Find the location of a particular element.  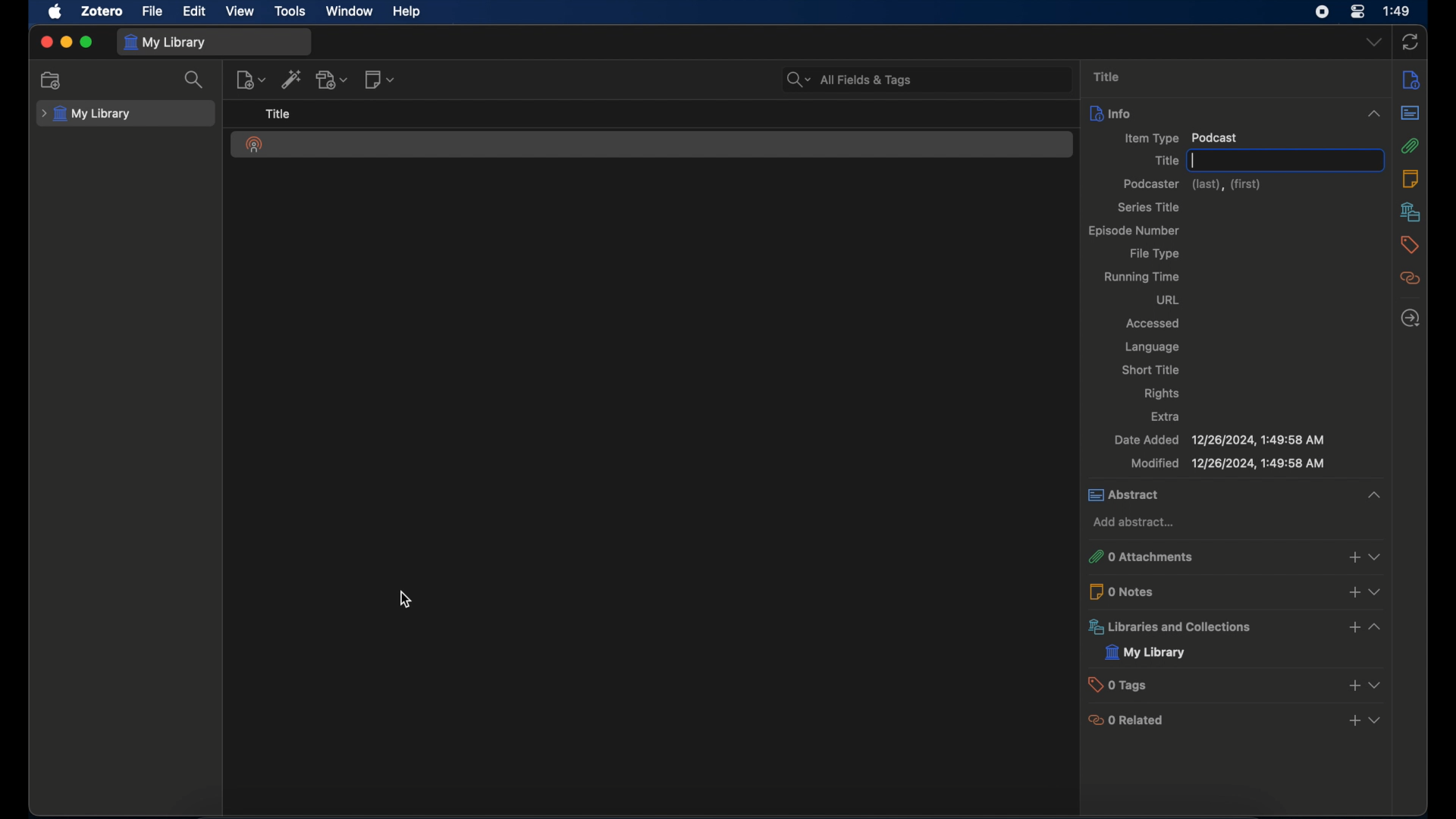

help is located at coordinates (409, 12).